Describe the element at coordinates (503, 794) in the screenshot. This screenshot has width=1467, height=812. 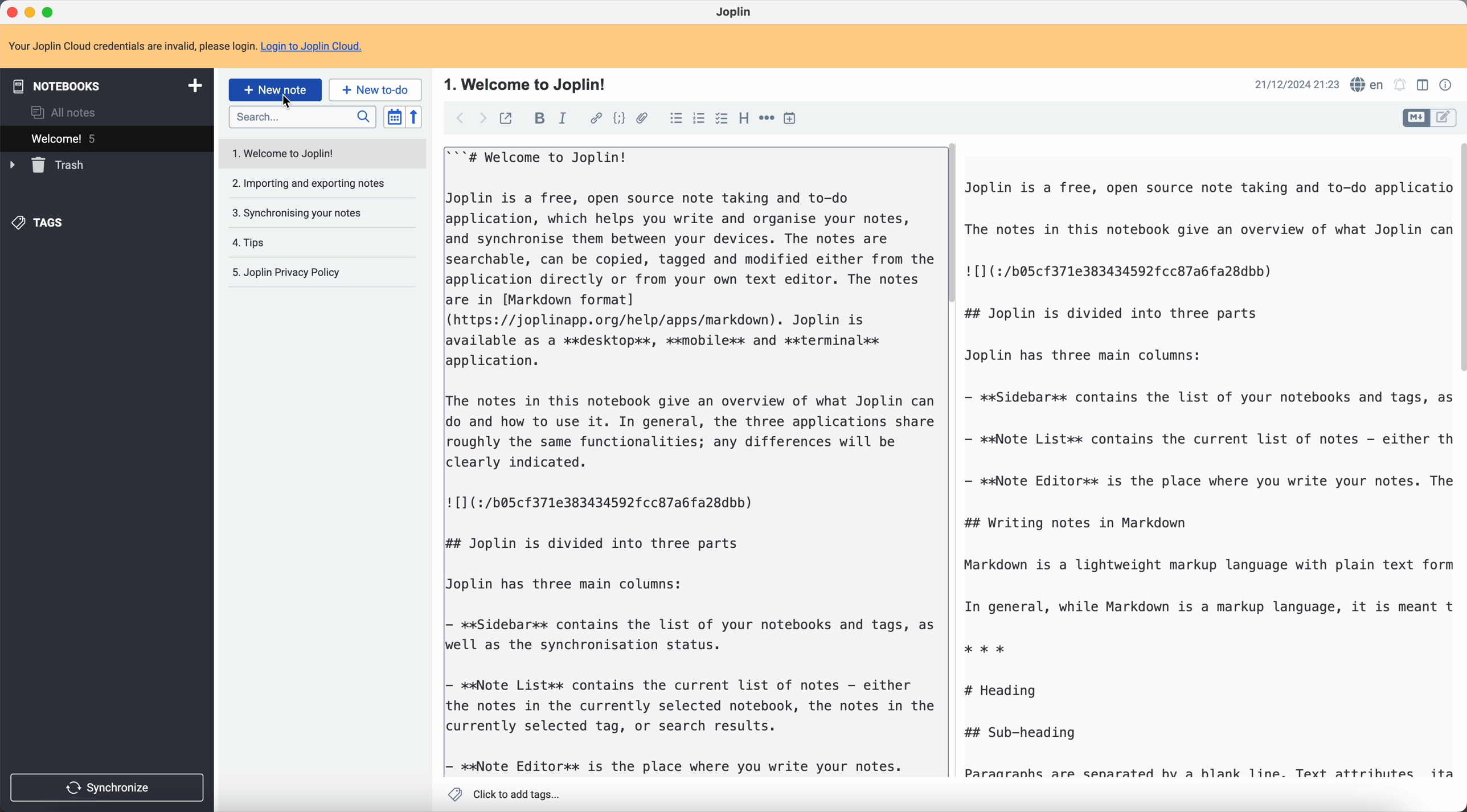
I see `click to add tags` at that location.